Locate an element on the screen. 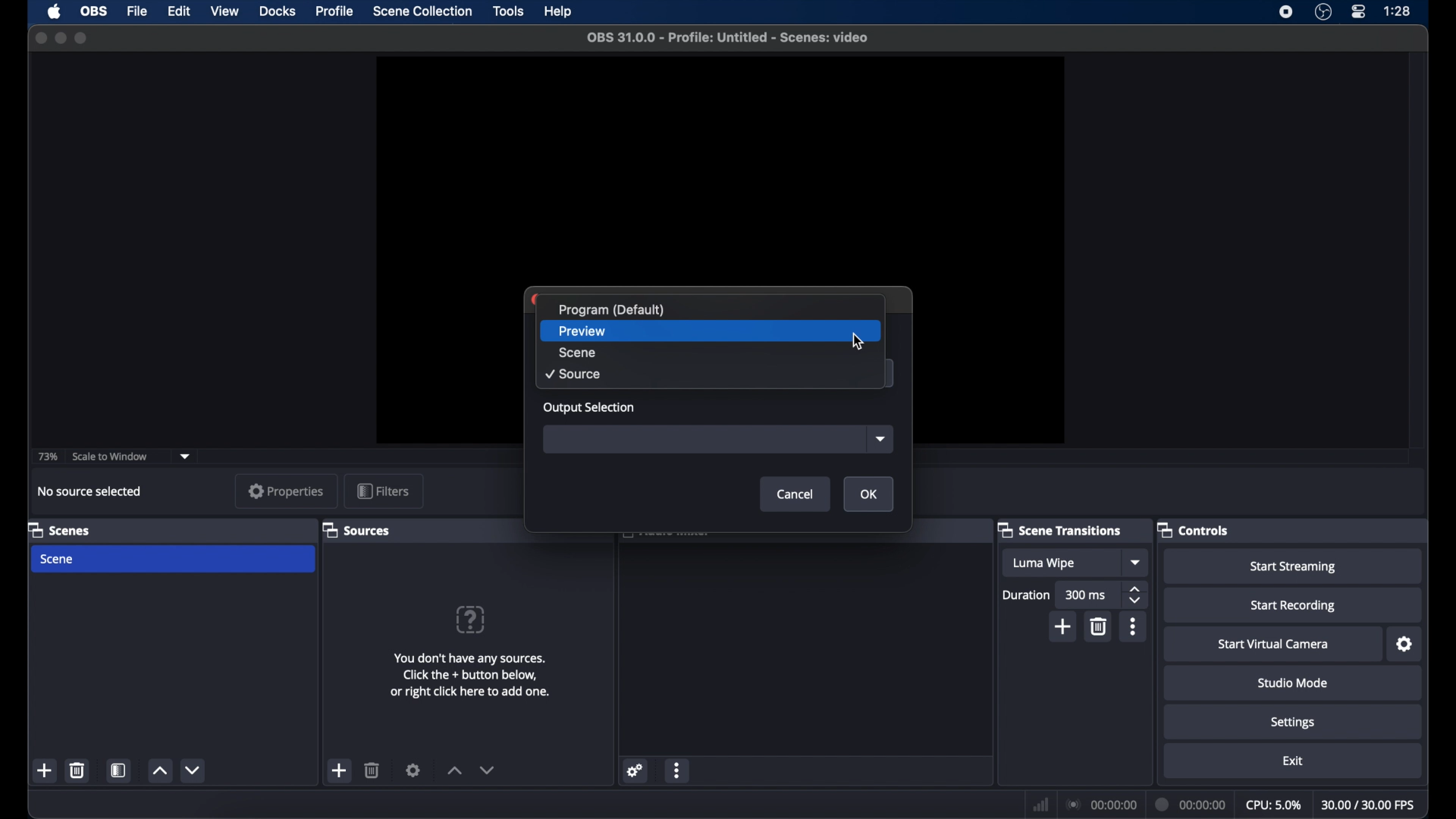 The height and width of the screenshot is (819, 1456). settings is located at coordinates (633, 771).